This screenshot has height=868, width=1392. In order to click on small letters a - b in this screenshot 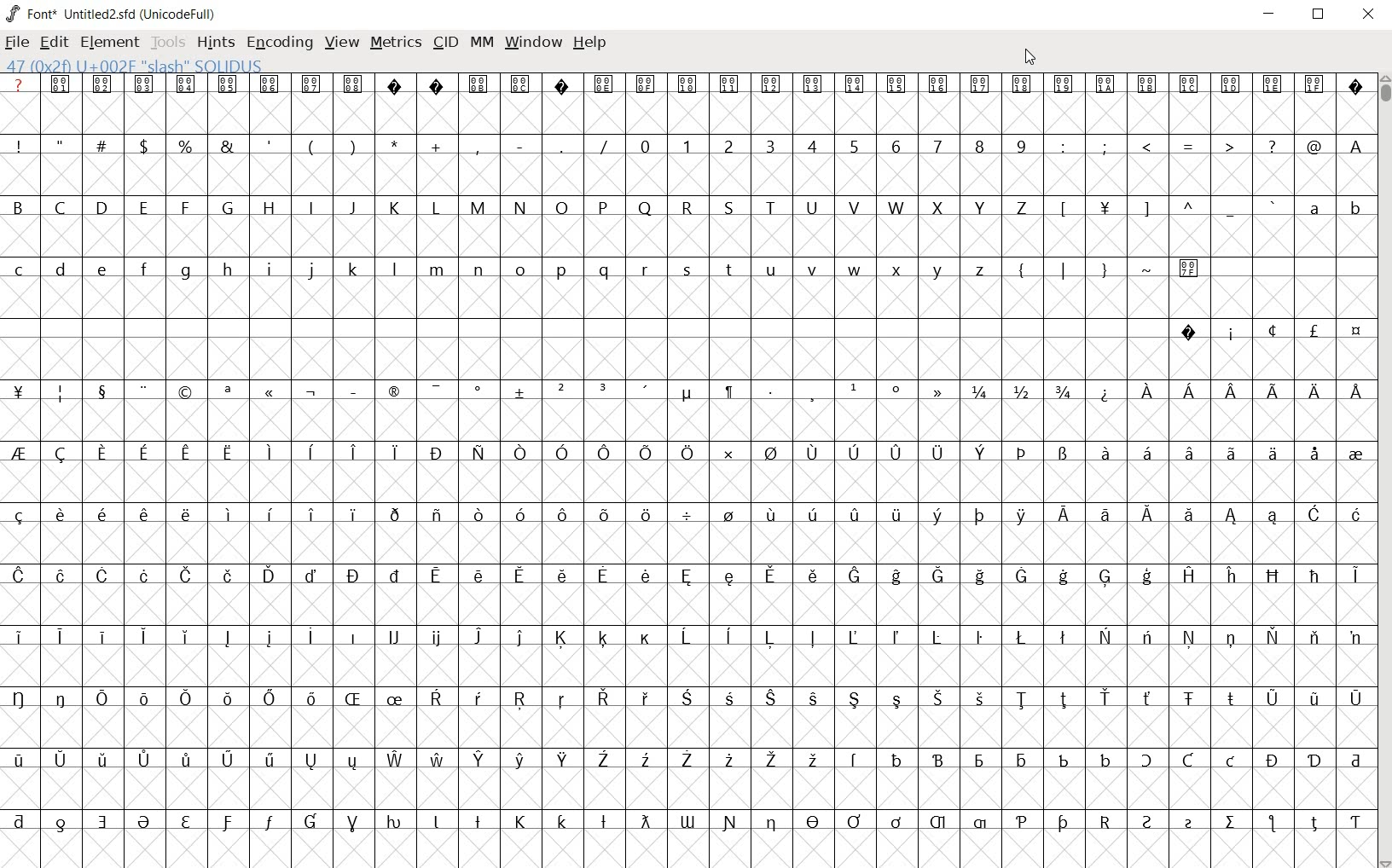, I will do `click(1325, 208)`.